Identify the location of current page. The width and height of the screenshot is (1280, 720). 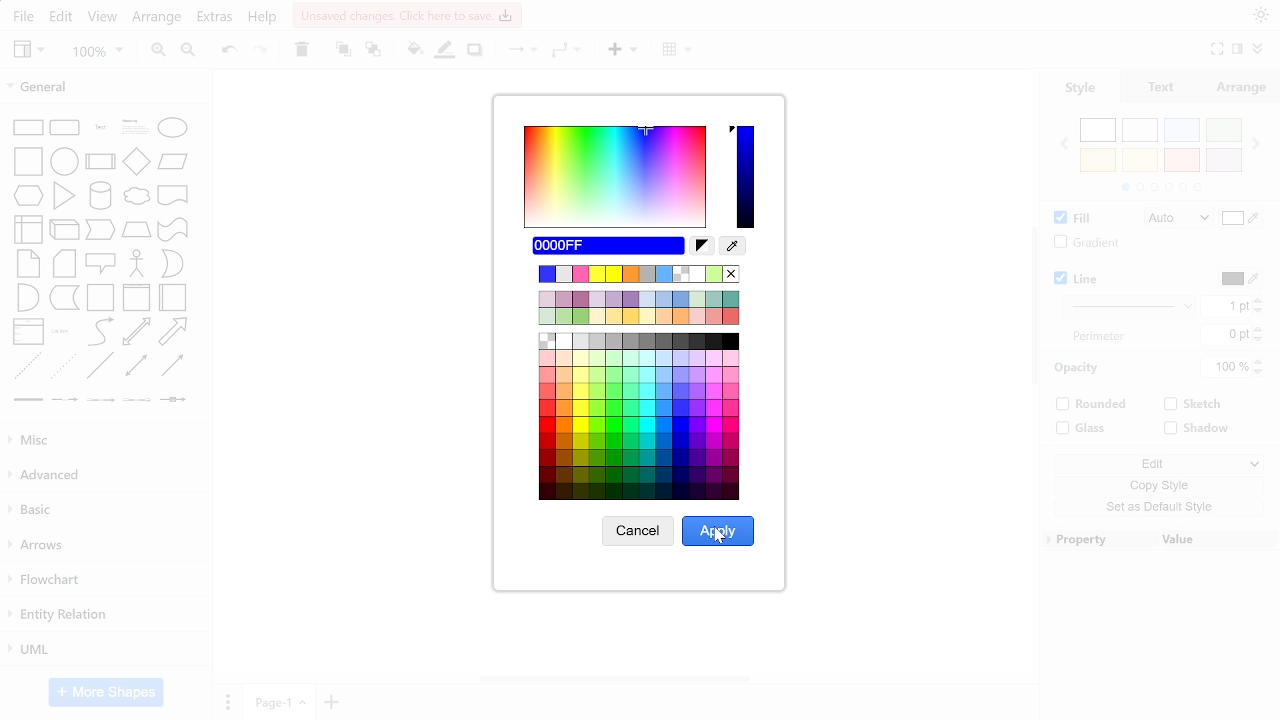
(281, 703).